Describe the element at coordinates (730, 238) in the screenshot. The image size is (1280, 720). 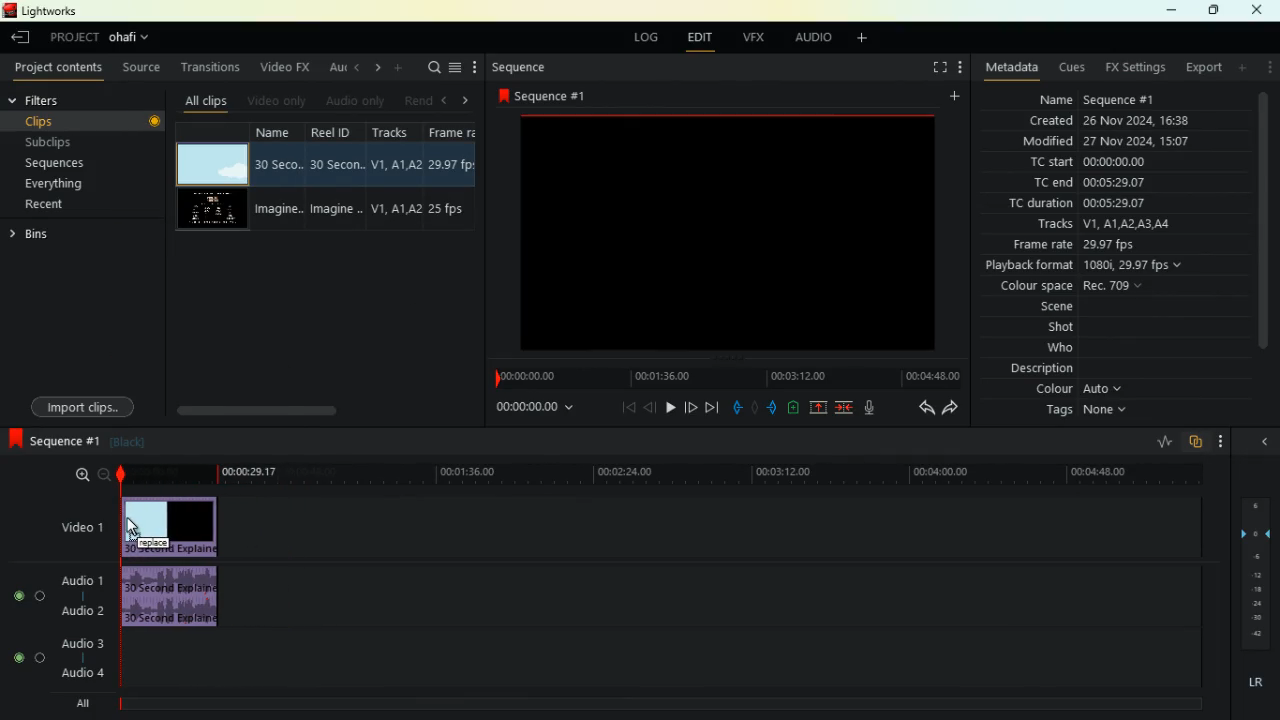
I see `screen` at that location.